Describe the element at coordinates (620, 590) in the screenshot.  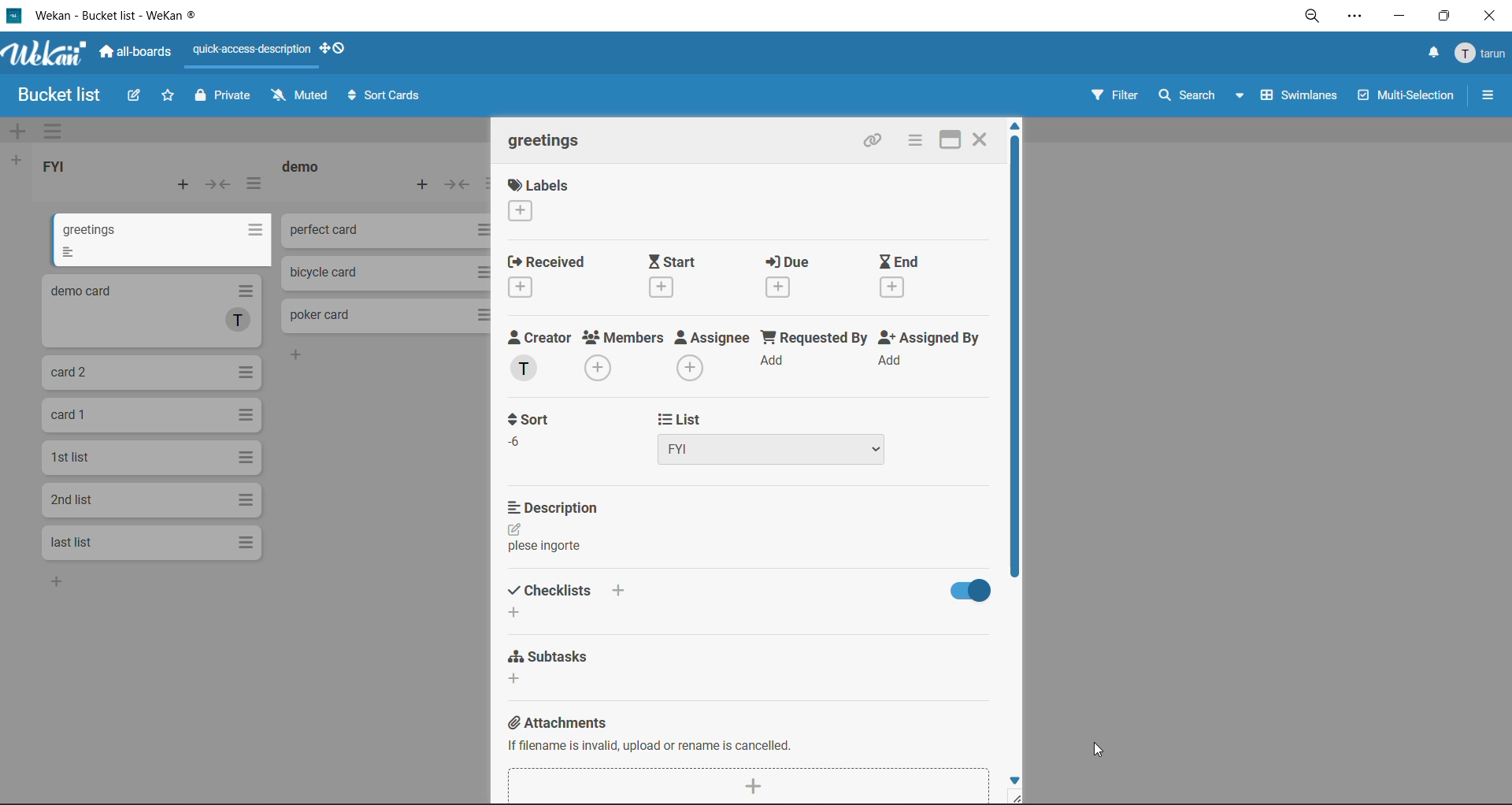
I see `add checklist` at that location.